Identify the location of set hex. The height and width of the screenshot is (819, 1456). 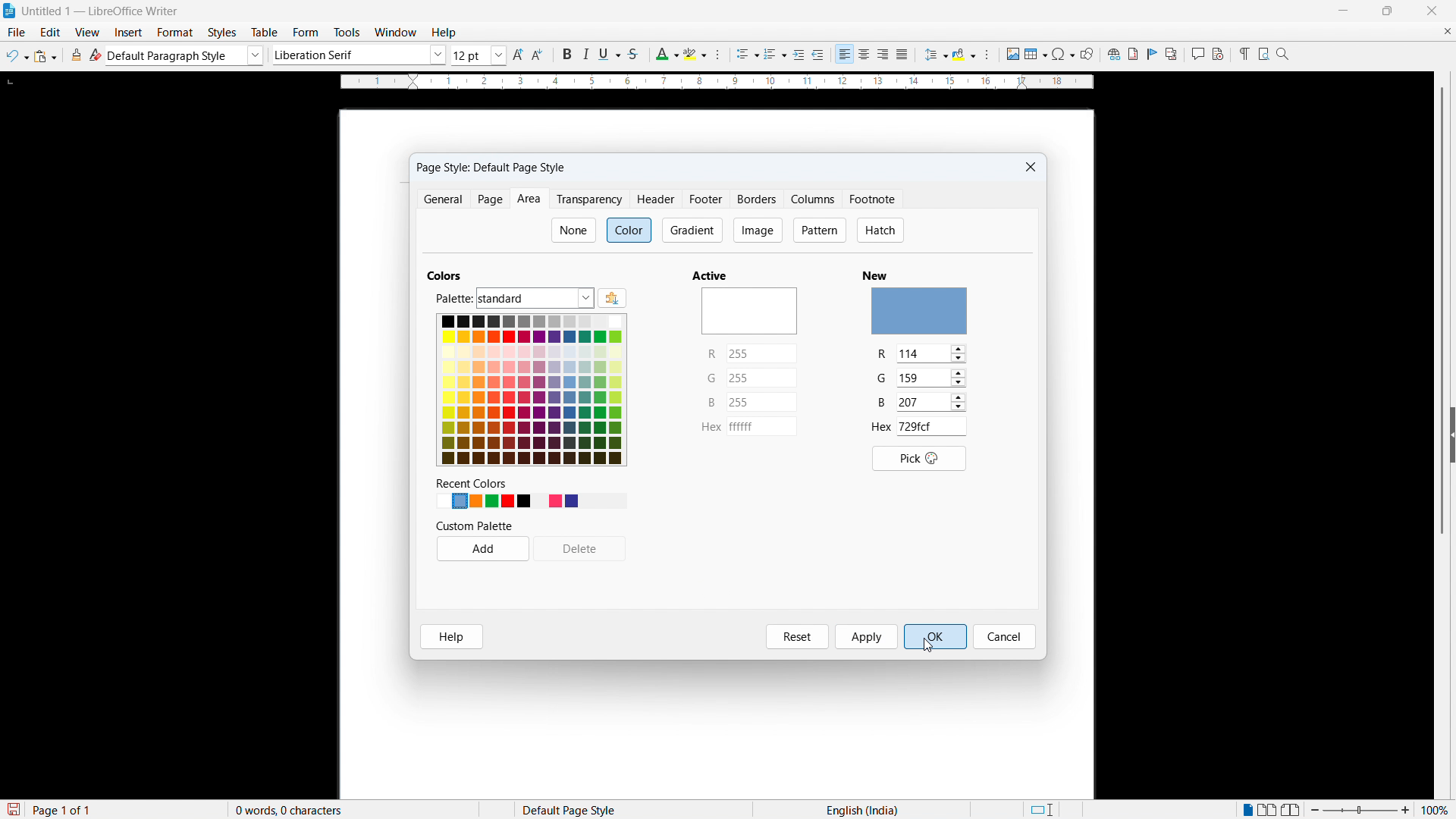
(762, 426).